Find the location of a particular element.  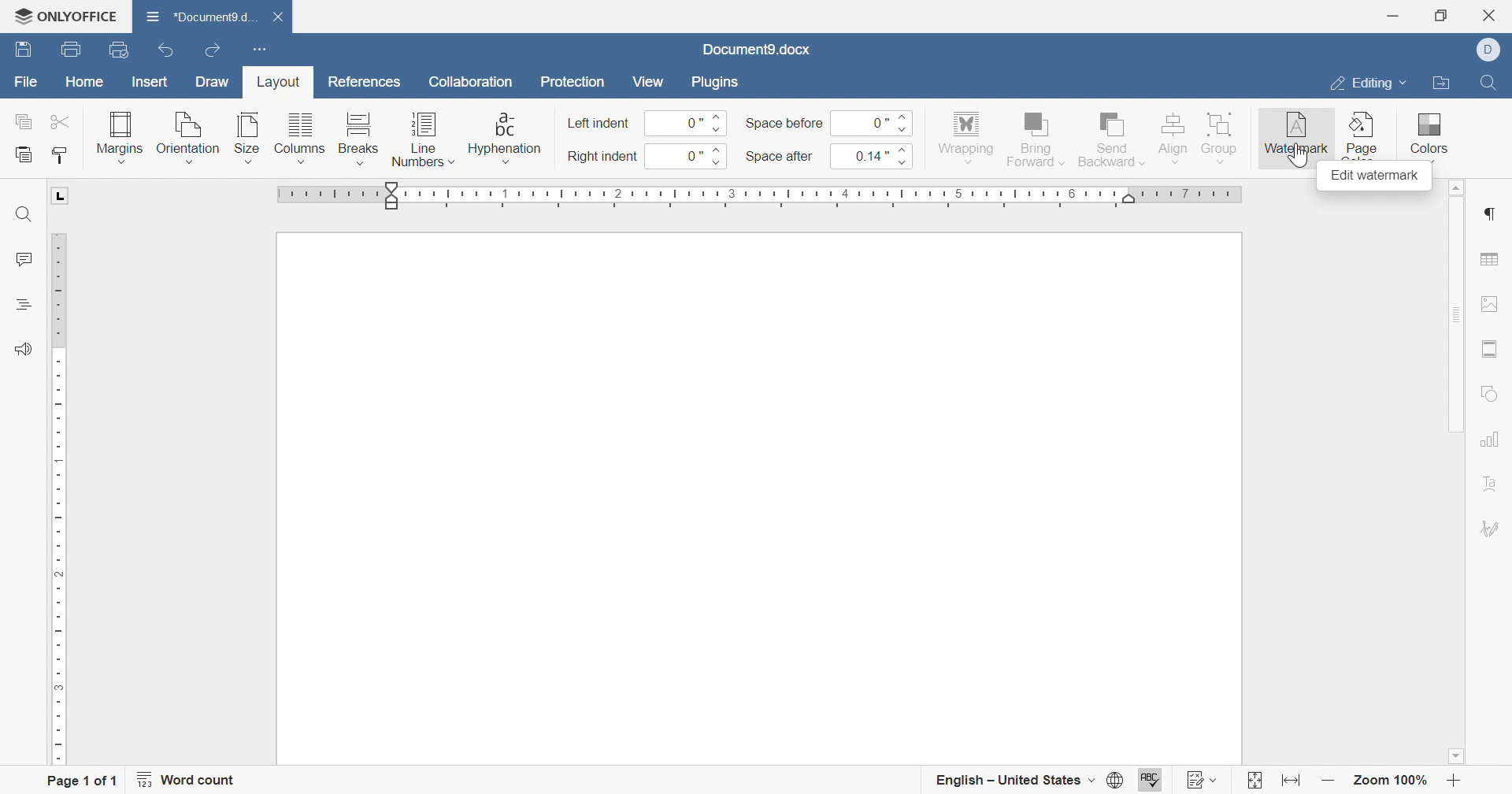

plugins is located at coordinates (712, 80).